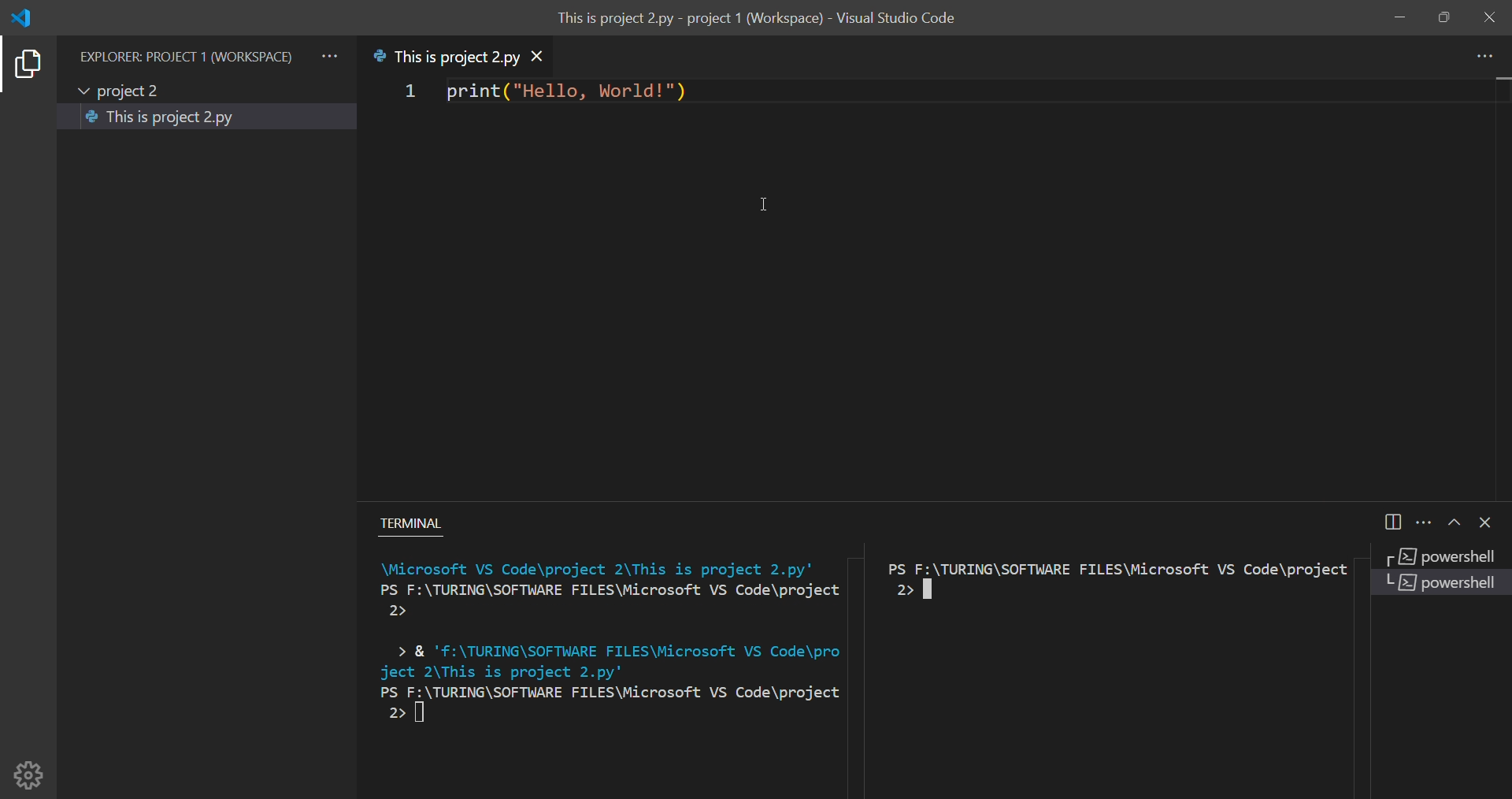 Image resolution: width=1512 pixels, height=799 pixels. I want to click on This is project 2.py, so click(443, 56).